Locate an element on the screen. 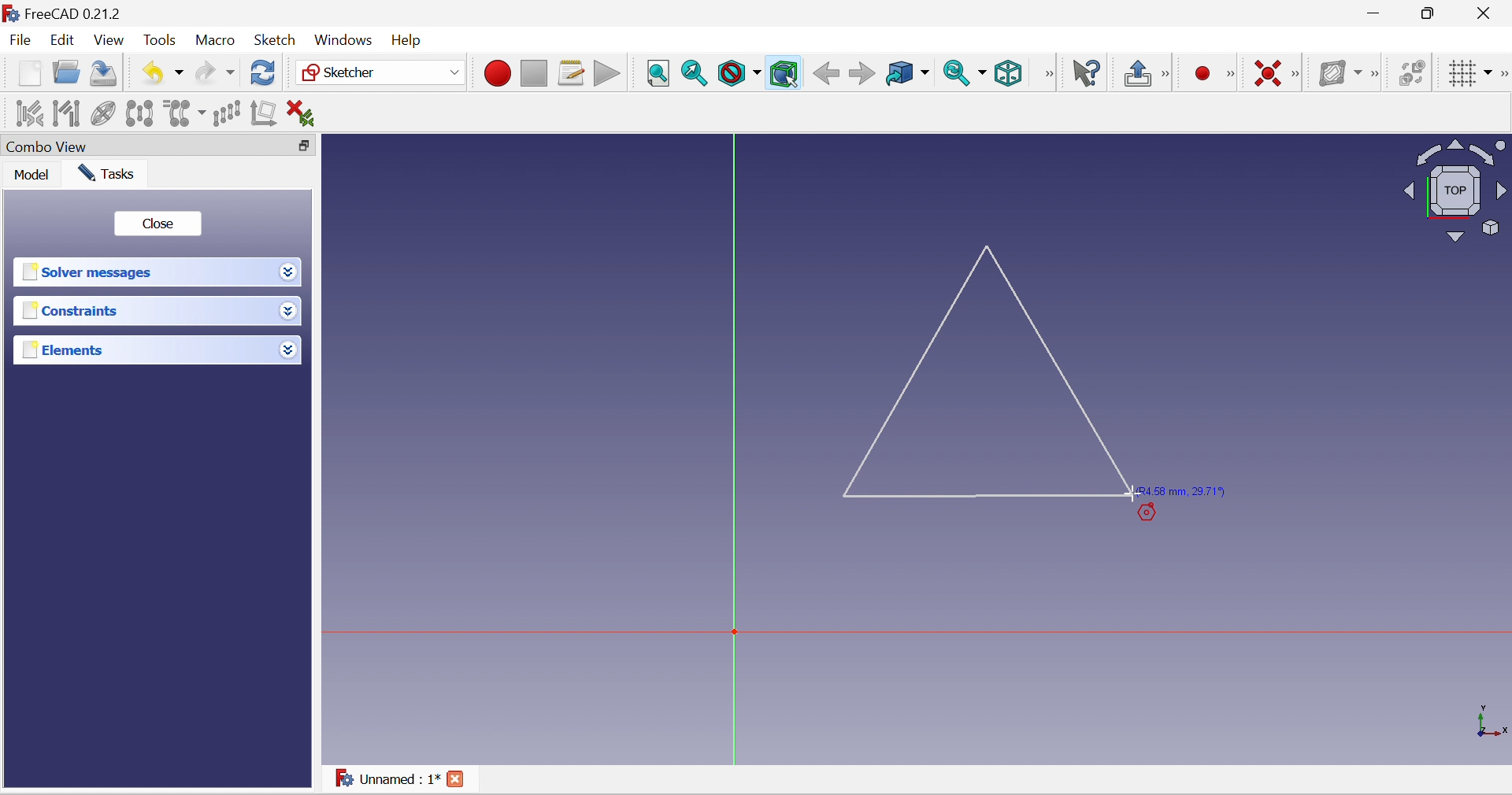  Select associated geometry is located at coordinates (66, 113).